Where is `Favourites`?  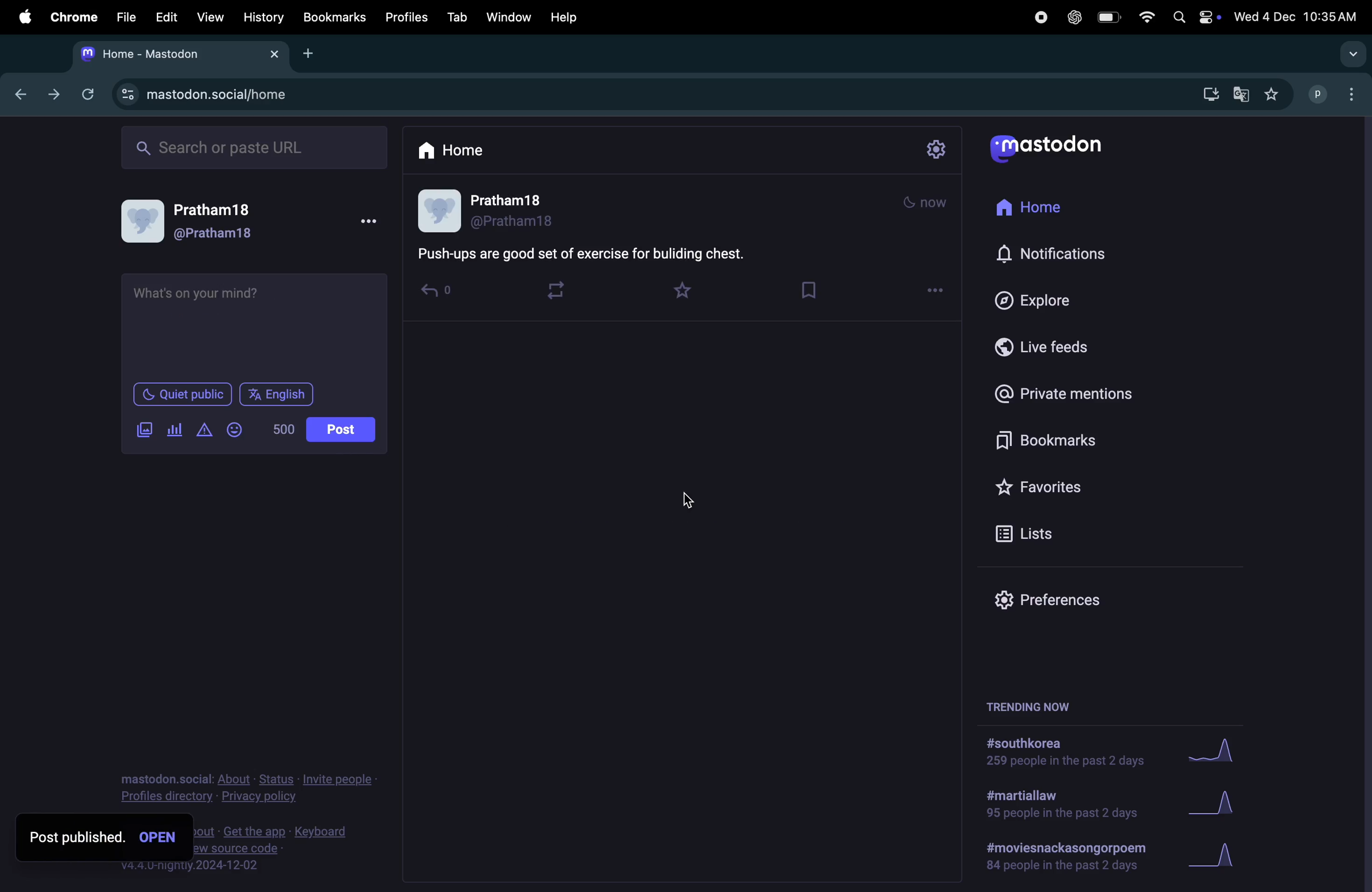
Favourites is located at coordinates (1071, 482).